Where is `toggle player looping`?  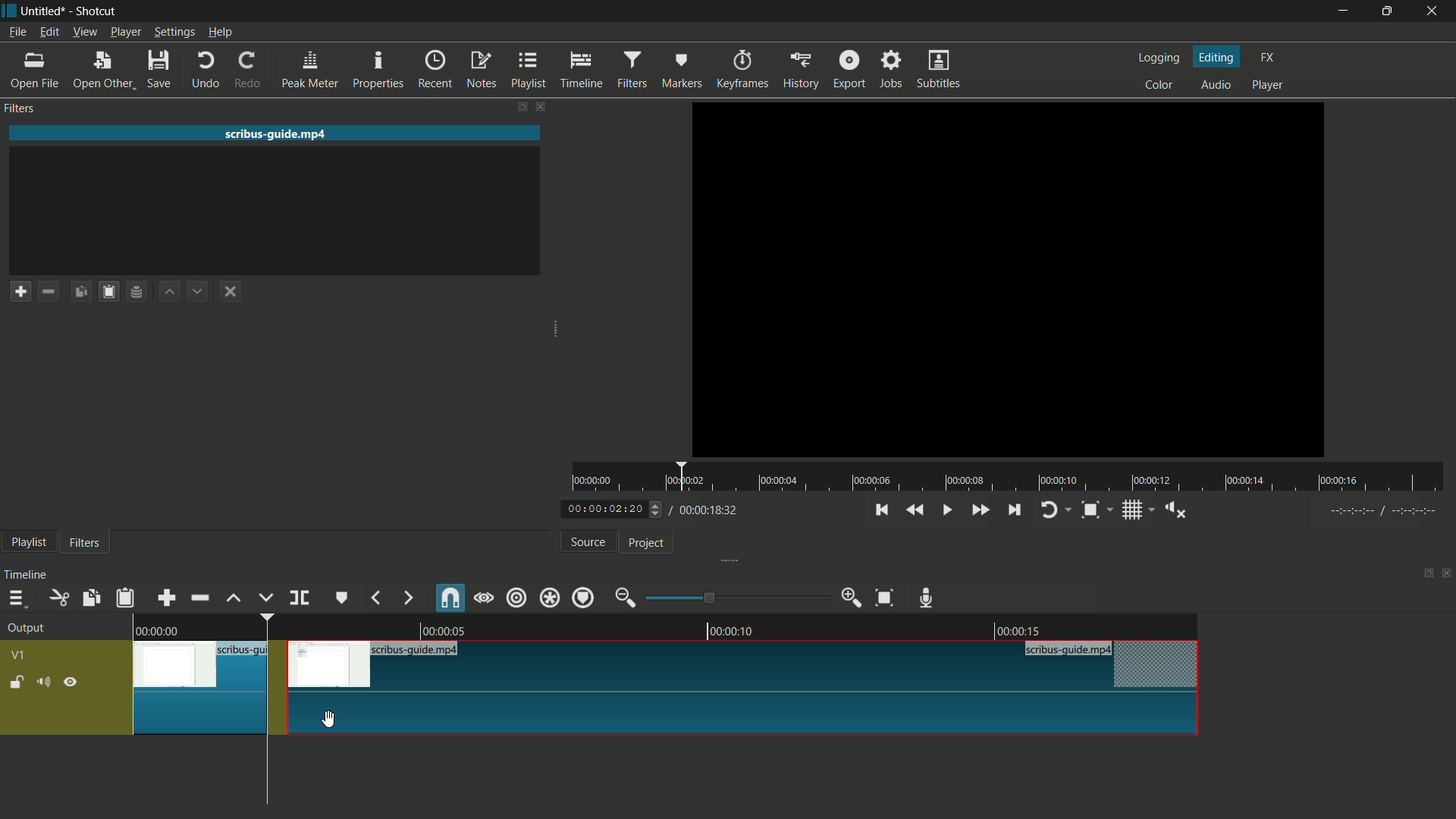
toggle player looping is located at coordinates (1050, 510).